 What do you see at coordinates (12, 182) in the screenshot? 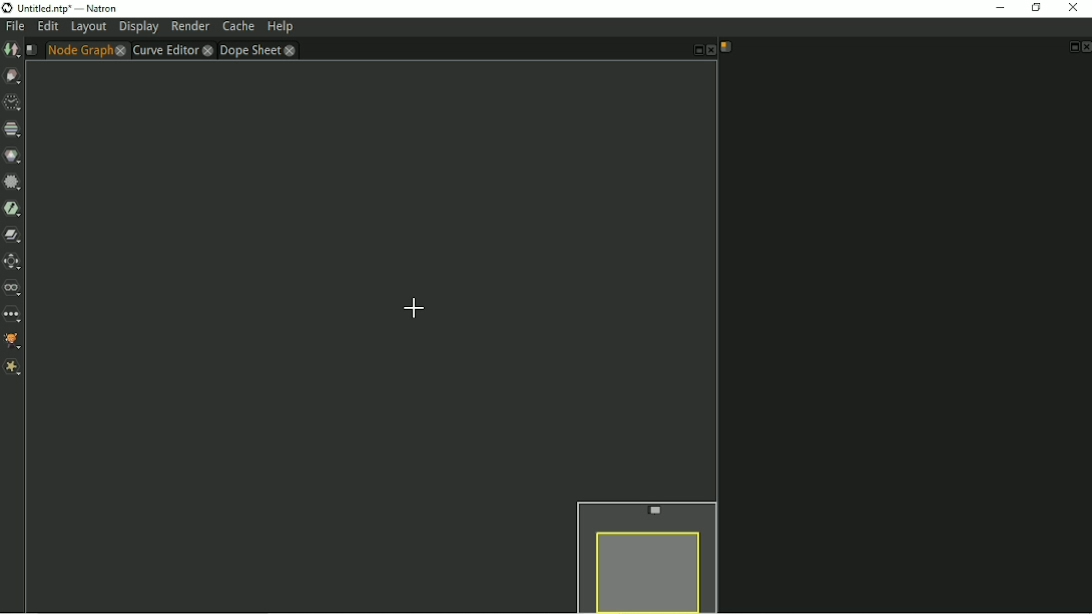
I see `Filter` at bounding box center [12, 182].